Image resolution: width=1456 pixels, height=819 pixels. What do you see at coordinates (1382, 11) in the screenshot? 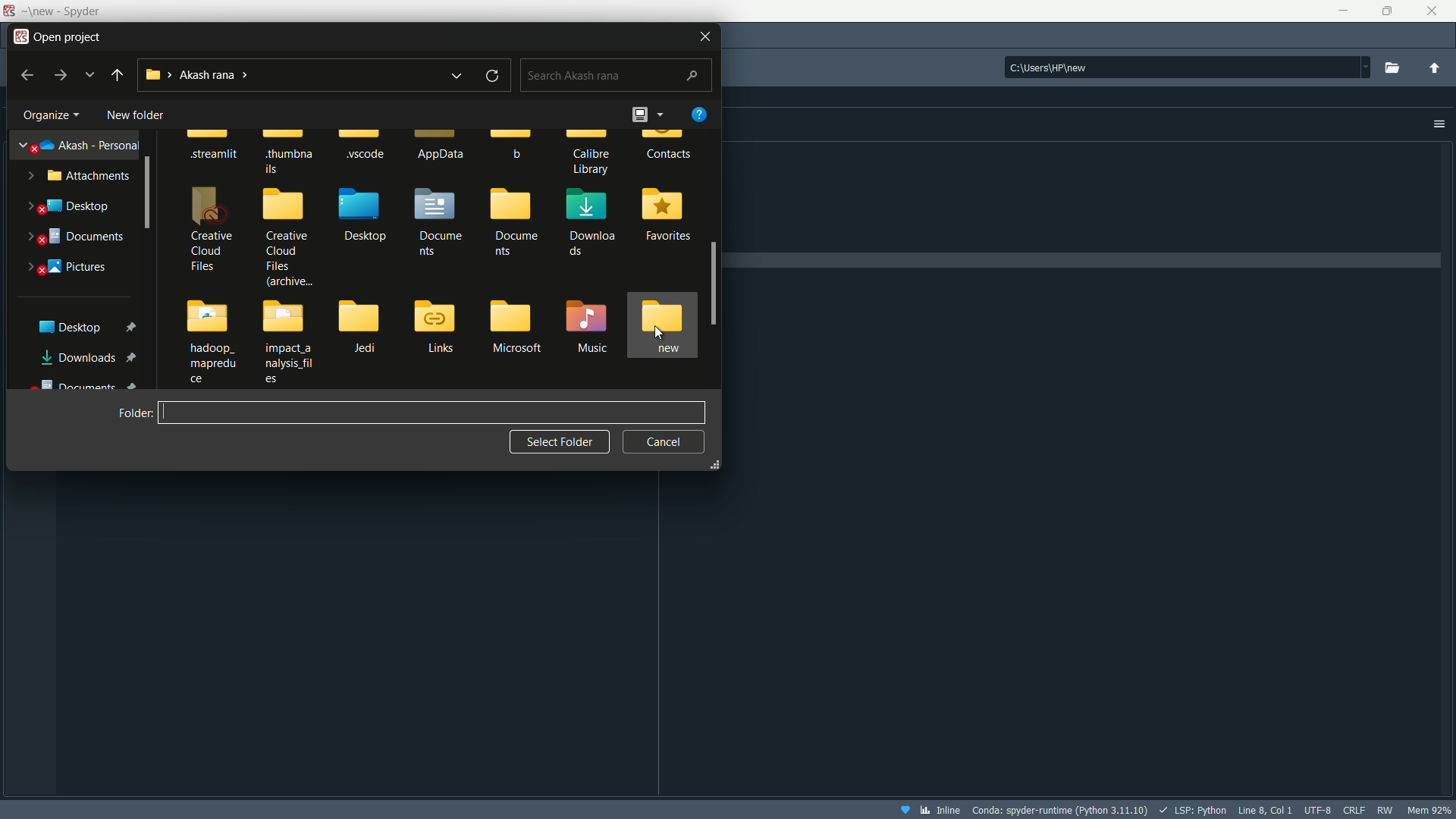
I see `maximize` at bounding box center [1382, 11].